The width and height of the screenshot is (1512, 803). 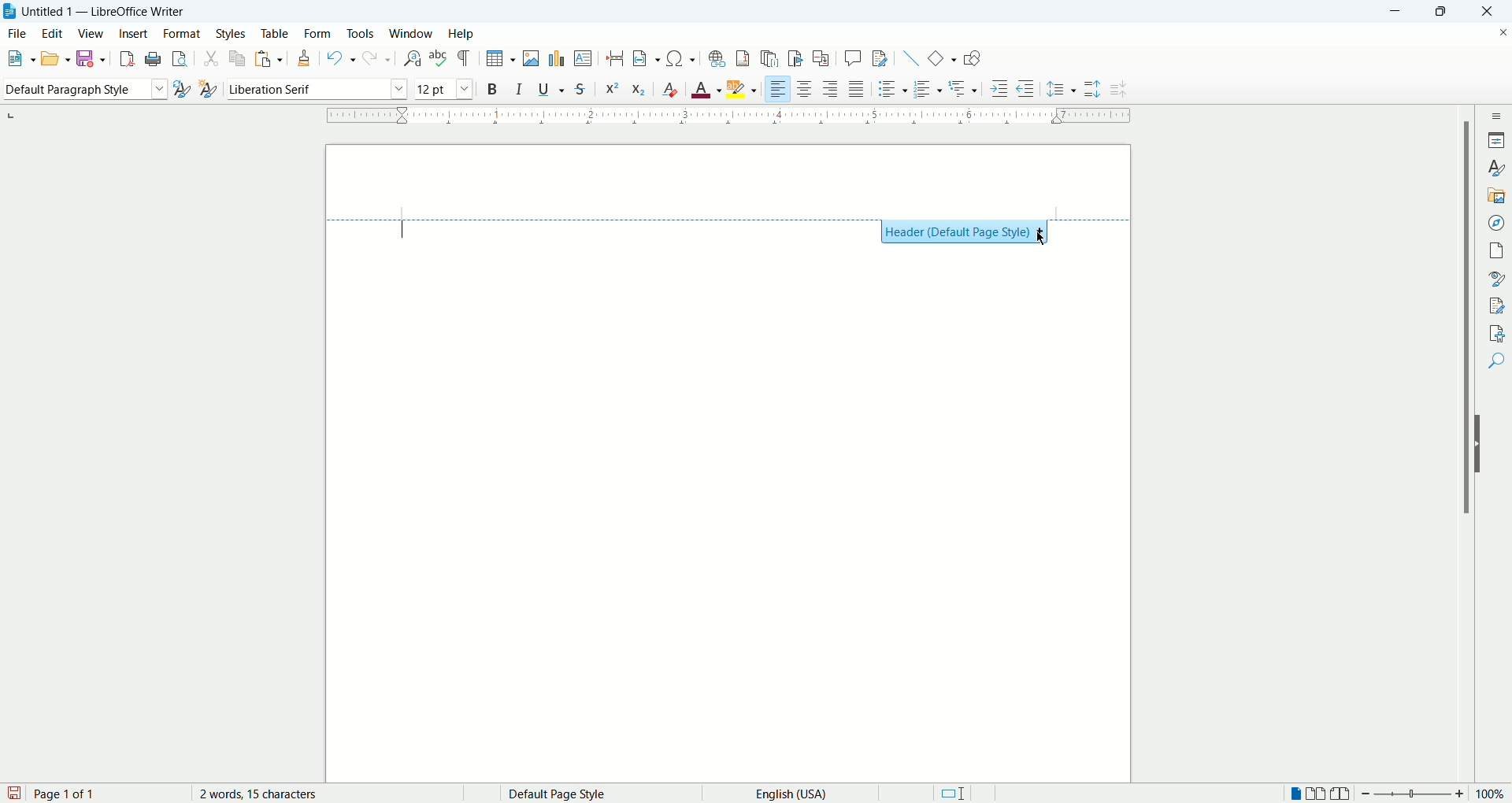 I want to click on close, so click(x=1493, y=12).